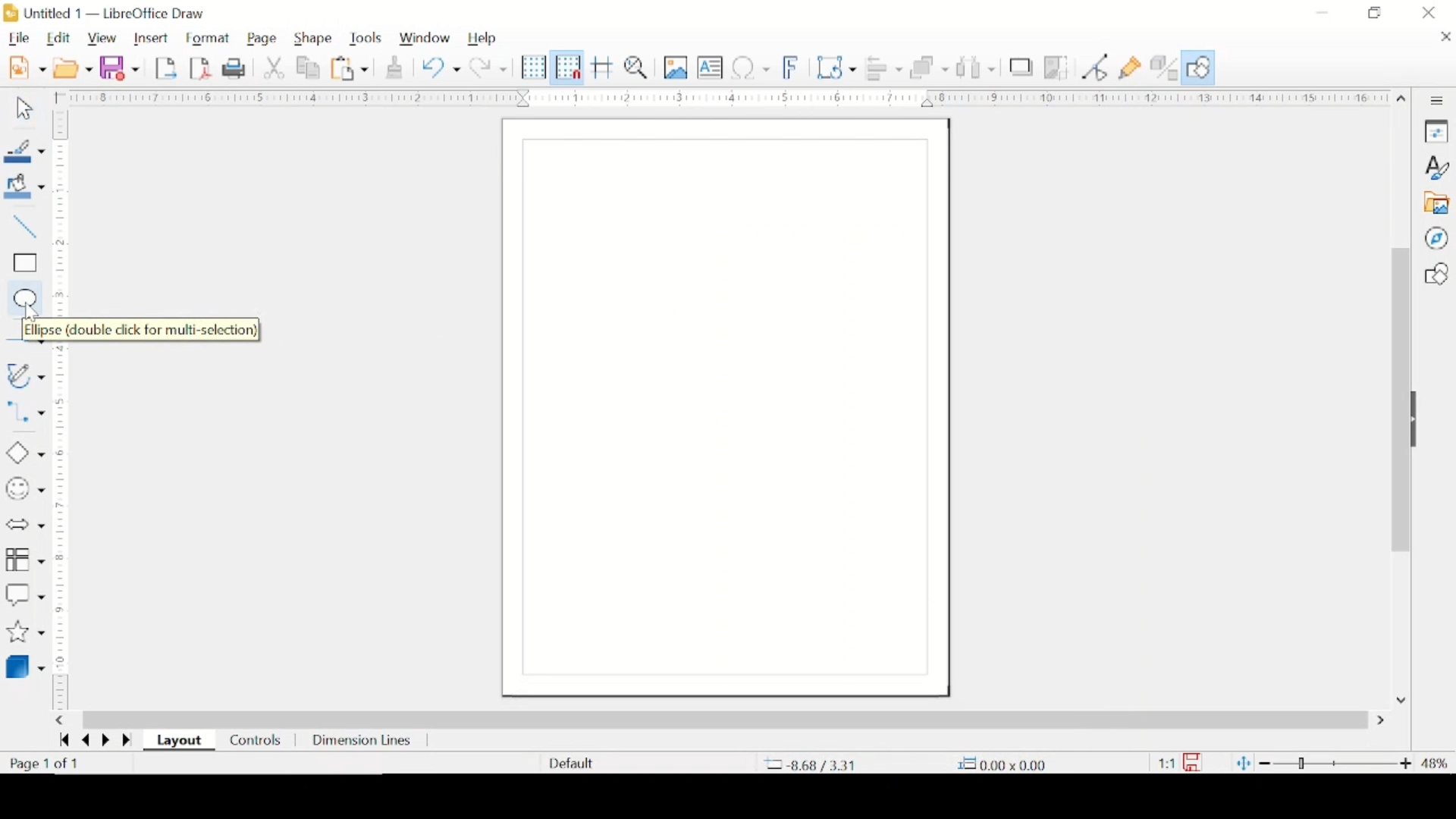 The width and height of the screenshot is (1456, 819). I want to click on layout, so click(180, 742).